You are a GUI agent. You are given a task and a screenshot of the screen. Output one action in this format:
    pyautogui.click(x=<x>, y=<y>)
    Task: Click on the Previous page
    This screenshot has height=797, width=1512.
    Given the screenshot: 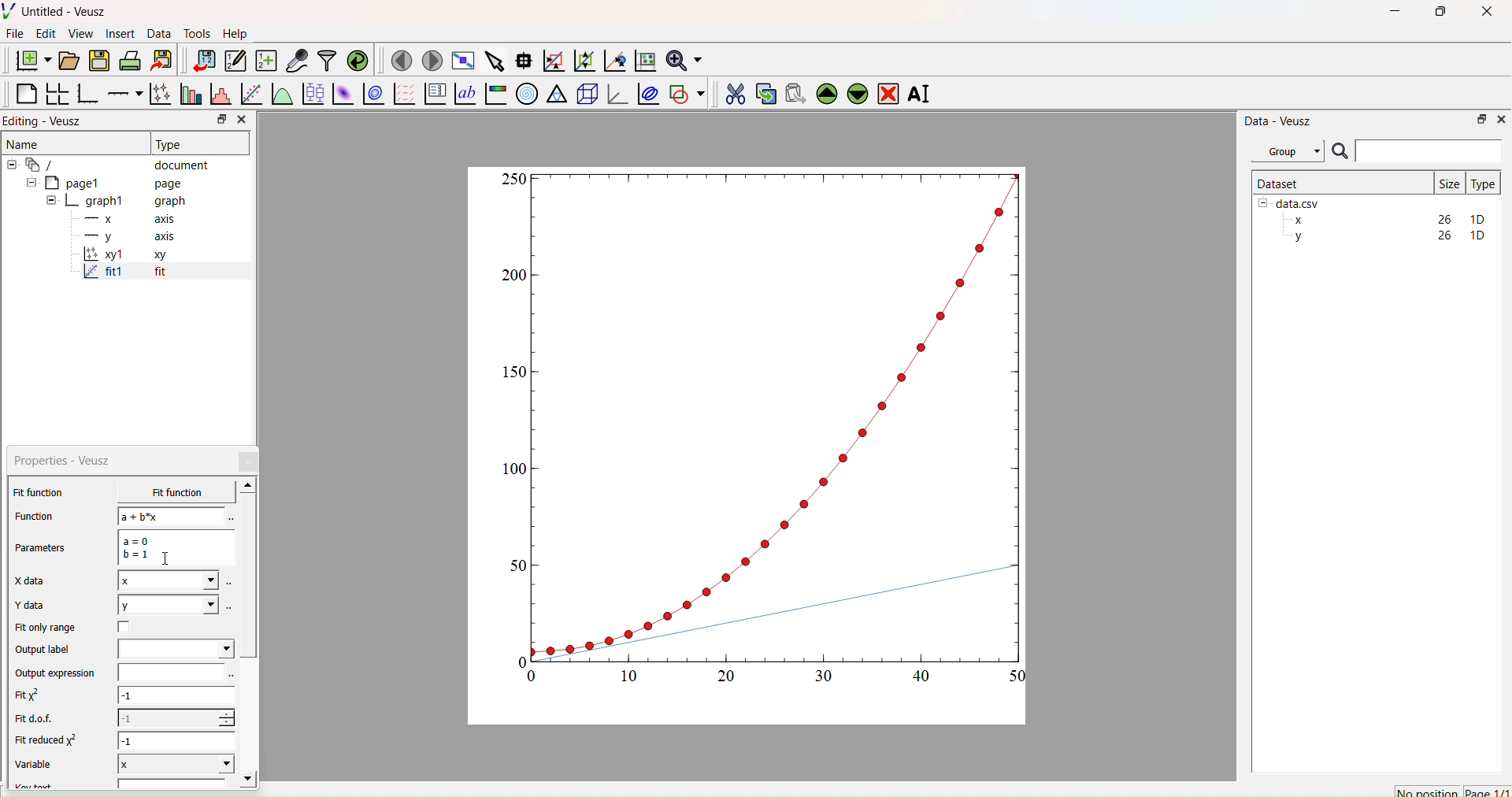 What is the action you would take?
    pyautogui.click(x=402, y=61)
    